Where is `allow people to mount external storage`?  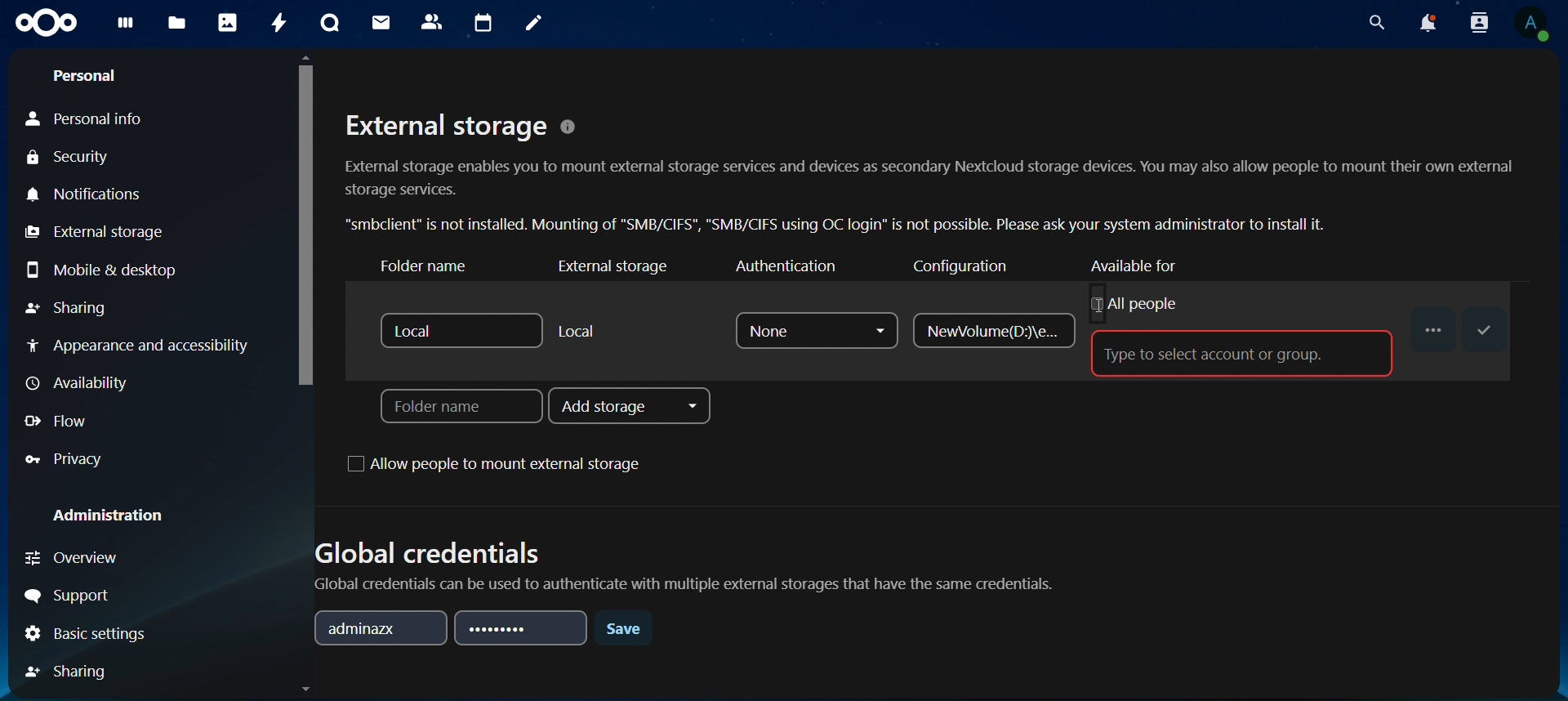
allow people to mount external storage is located at coordinates (503, 466).